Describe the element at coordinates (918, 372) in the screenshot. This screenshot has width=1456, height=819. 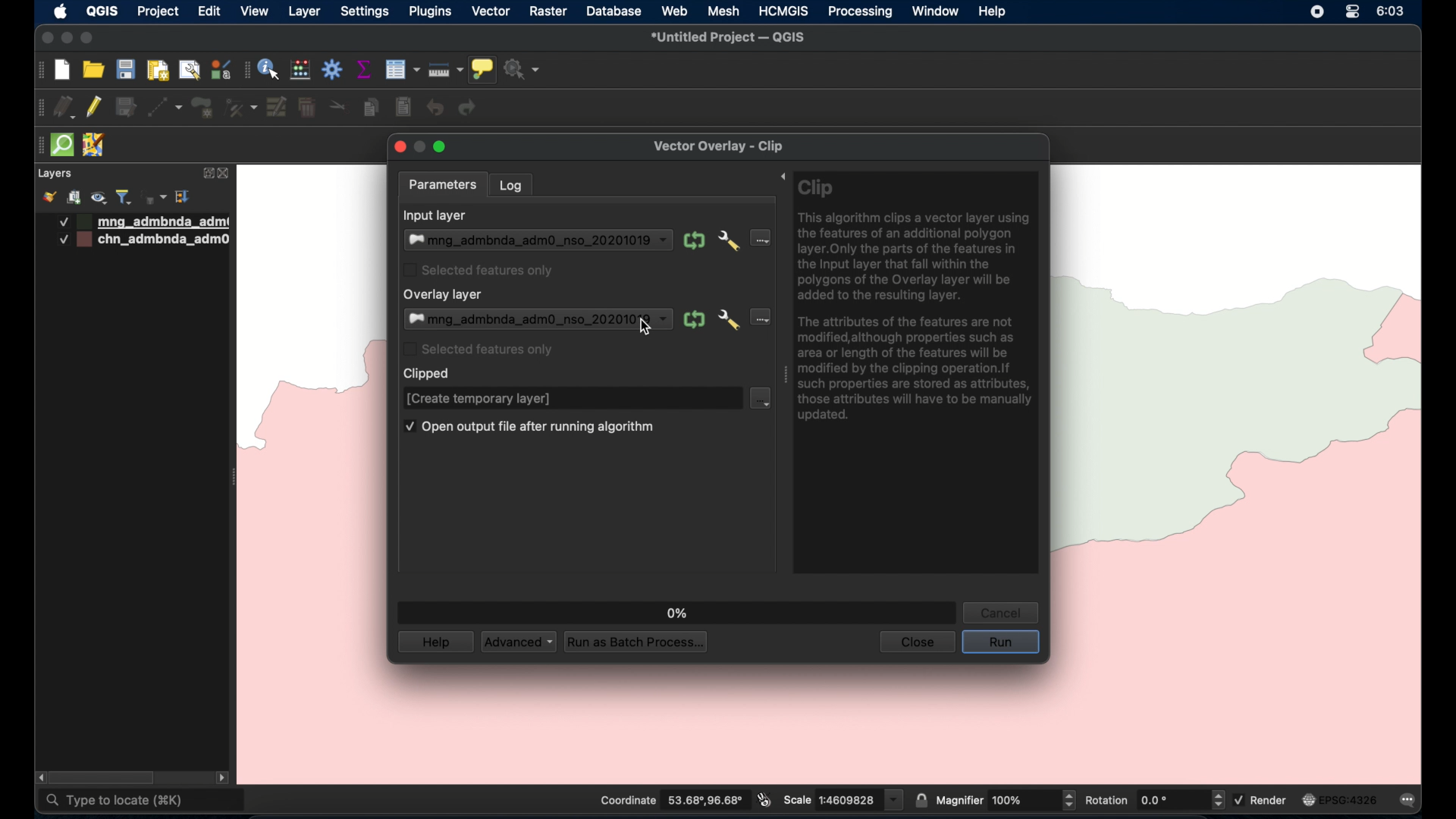
I see `clip tool info` at that location.